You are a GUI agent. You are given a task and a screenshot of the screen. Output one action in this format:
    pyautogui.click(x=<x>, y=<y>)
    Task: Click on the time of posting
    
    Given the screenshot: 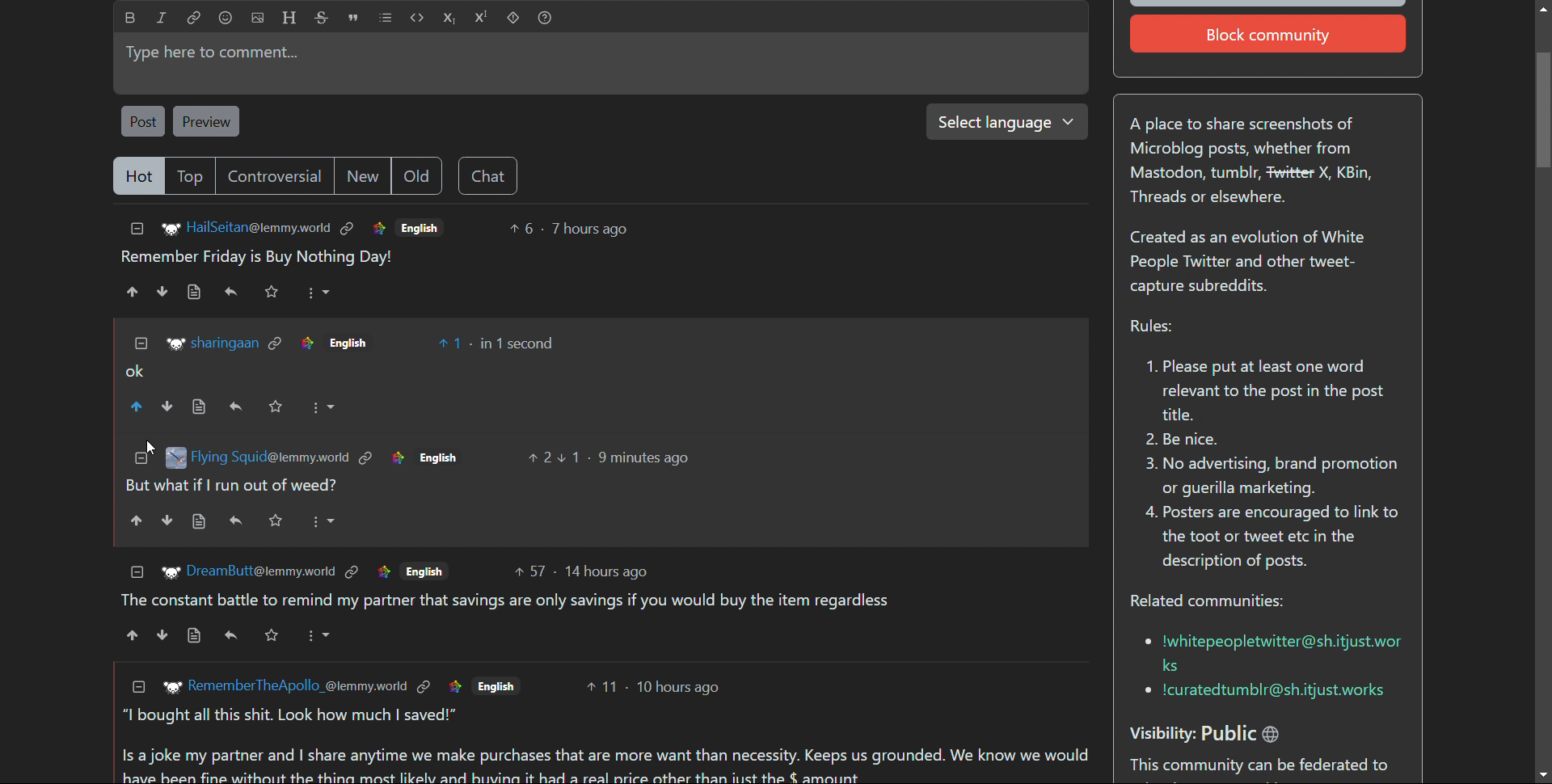 What is the action you would take?
    pyautogui.click(x=516, y=343)
    